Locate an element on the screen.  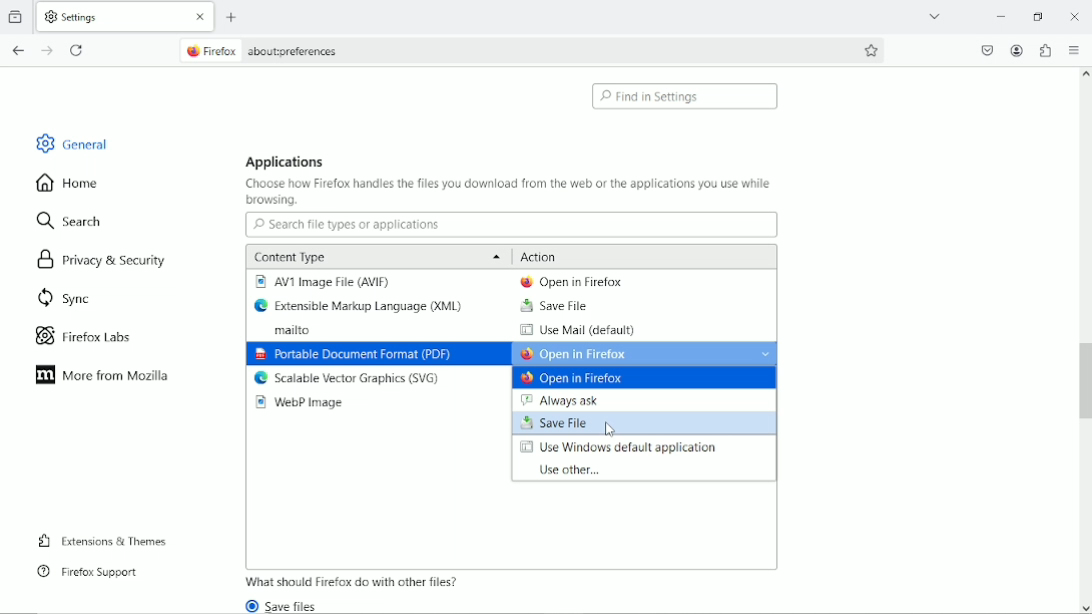
Sync is located at coordinates (62, 299).